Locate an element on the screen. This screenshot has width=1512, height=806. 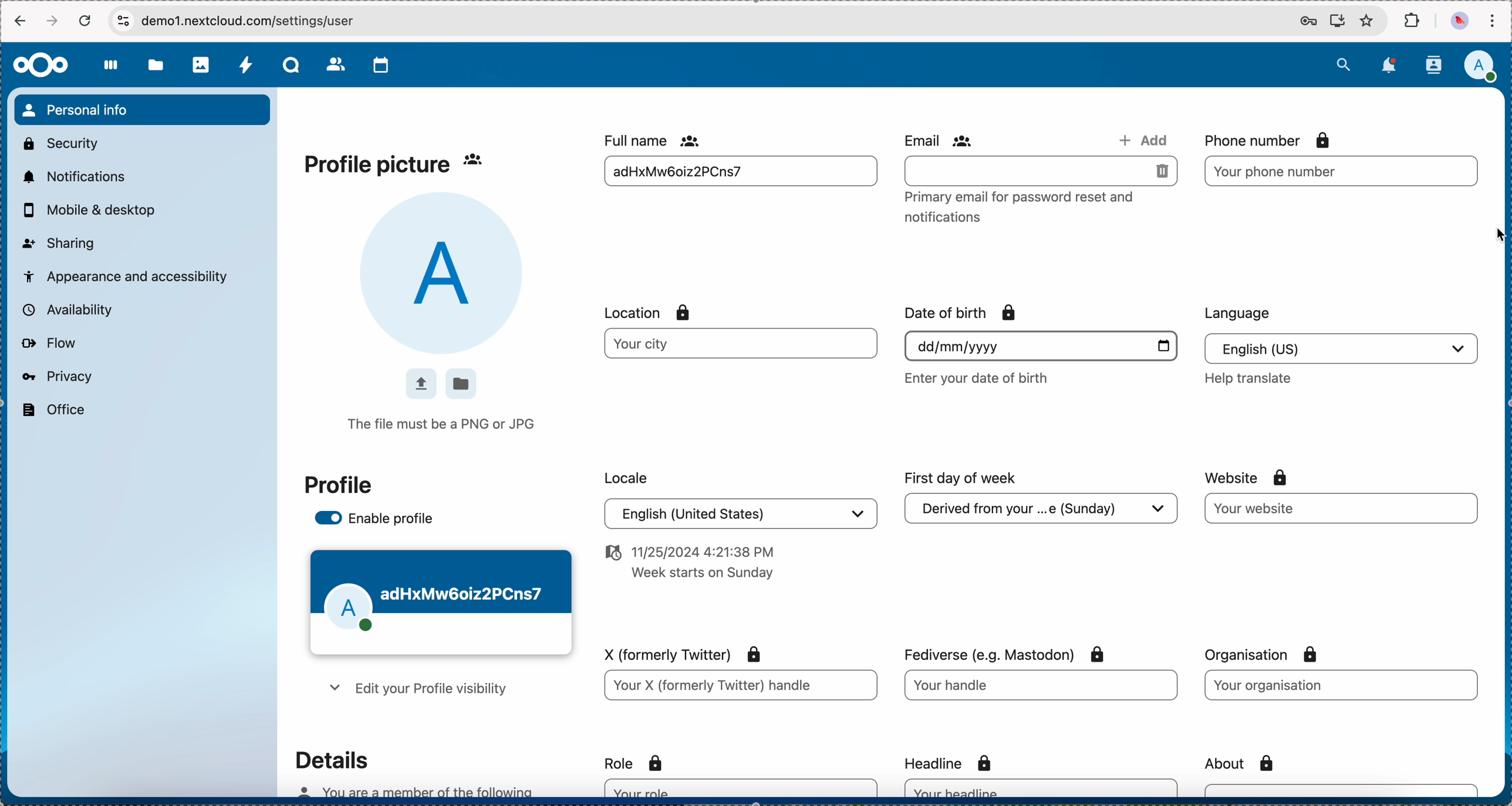
note is located at coordinates (1026, 206).